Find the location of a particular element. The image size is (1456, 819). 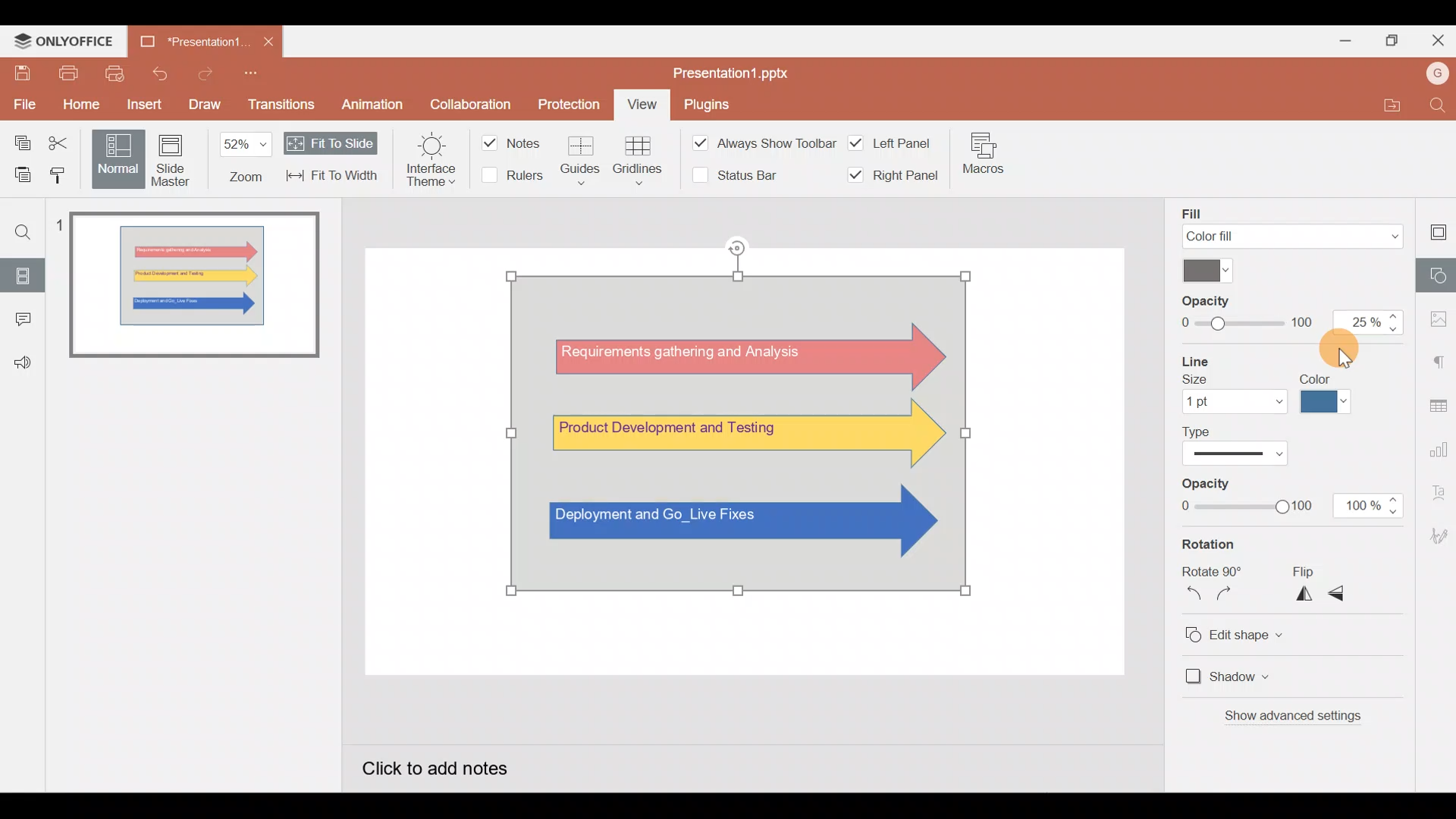

Paragraph settings is located at coordinates (1438, 358).